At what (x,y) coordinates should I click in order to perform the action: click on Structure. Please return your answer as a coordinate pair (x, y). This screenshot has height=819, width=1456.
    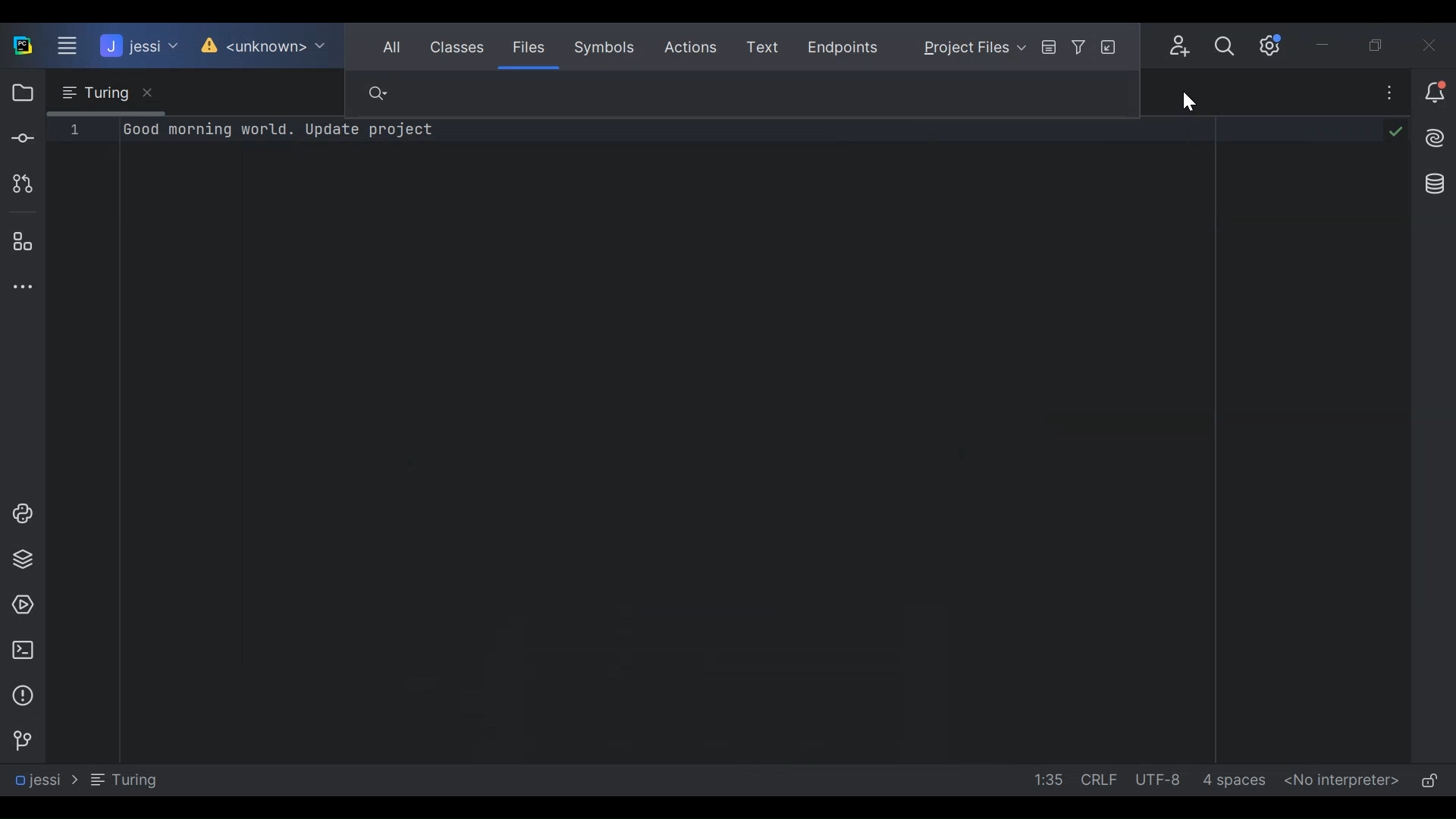
    Looking at the image, I should click on (20, 240).